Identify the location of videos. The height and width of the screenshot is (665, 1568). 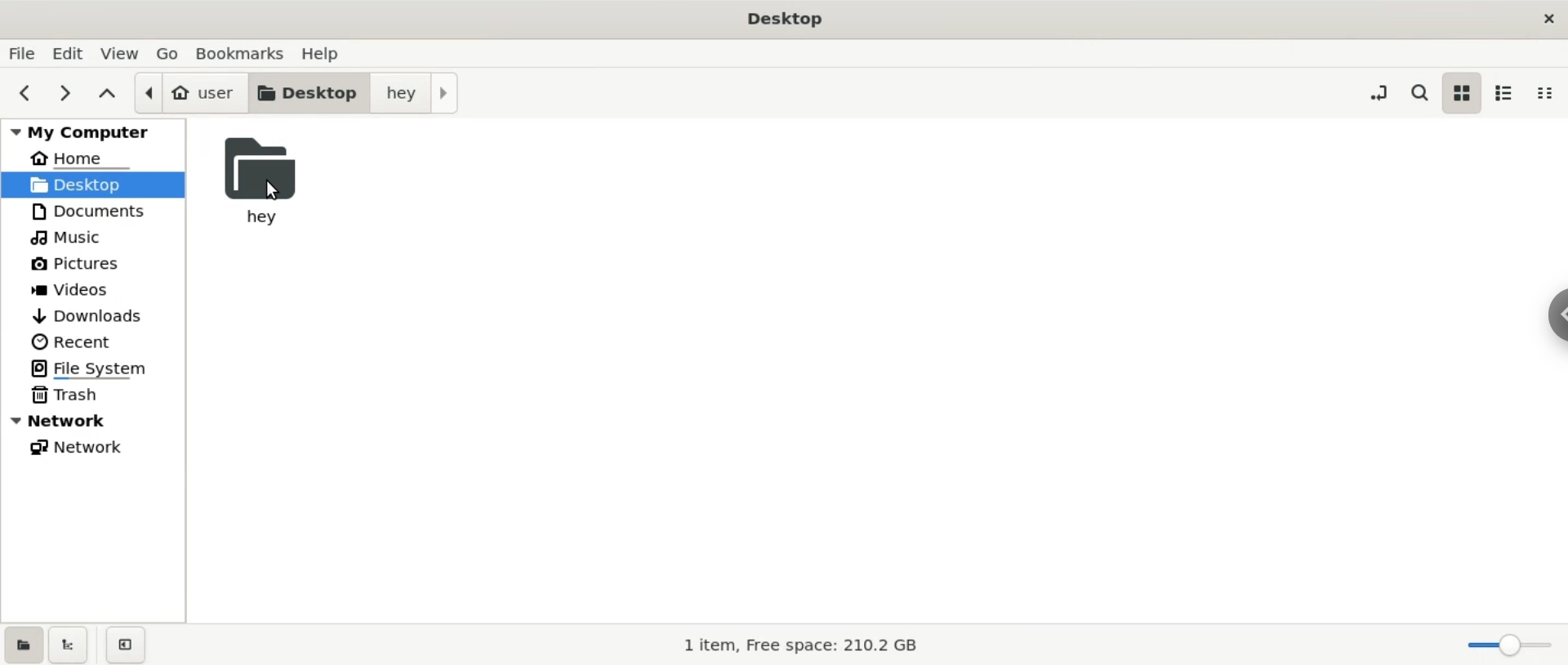
(98, 287).